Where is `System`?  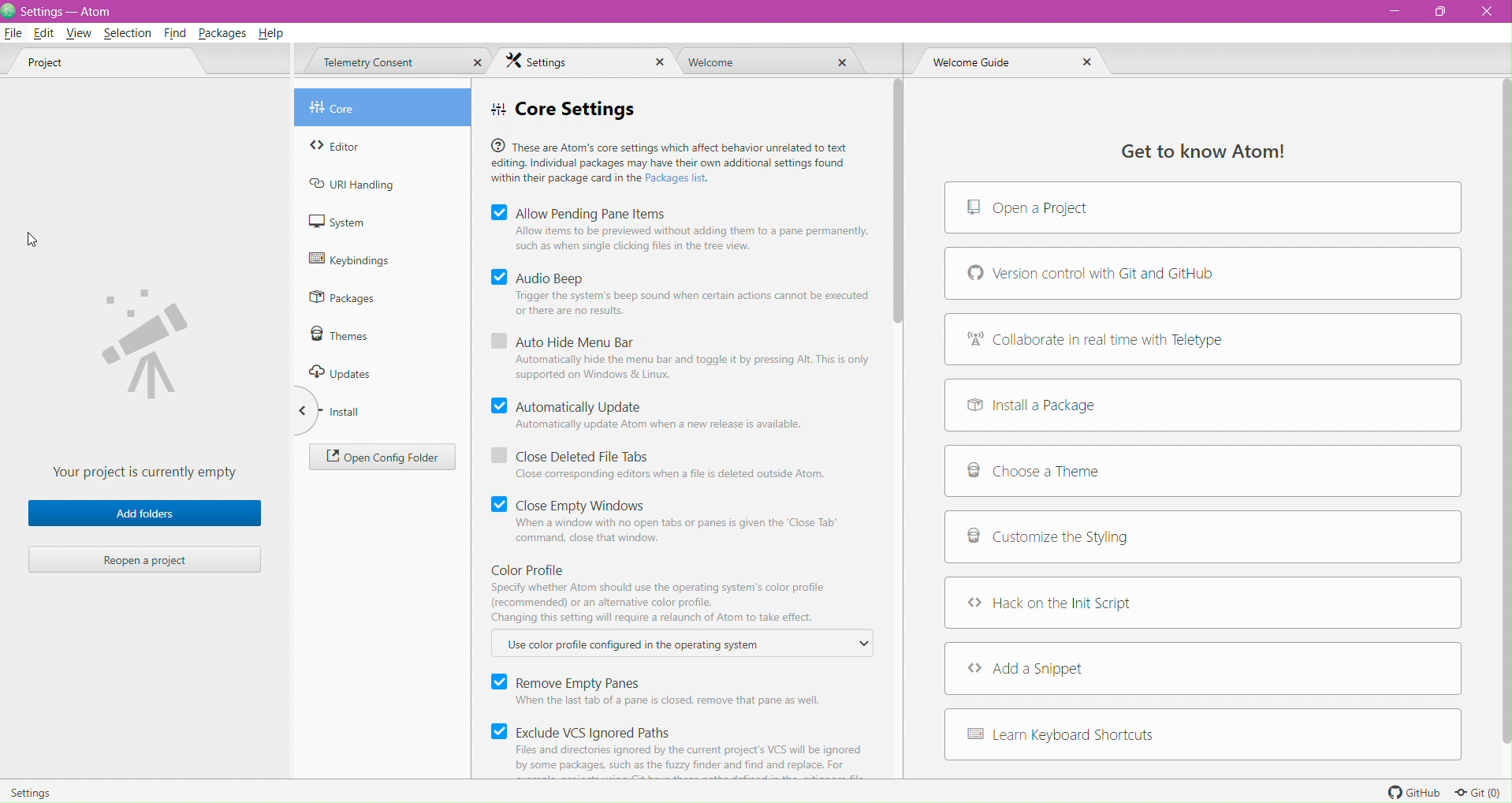
System is located at coordinates (359, 222).